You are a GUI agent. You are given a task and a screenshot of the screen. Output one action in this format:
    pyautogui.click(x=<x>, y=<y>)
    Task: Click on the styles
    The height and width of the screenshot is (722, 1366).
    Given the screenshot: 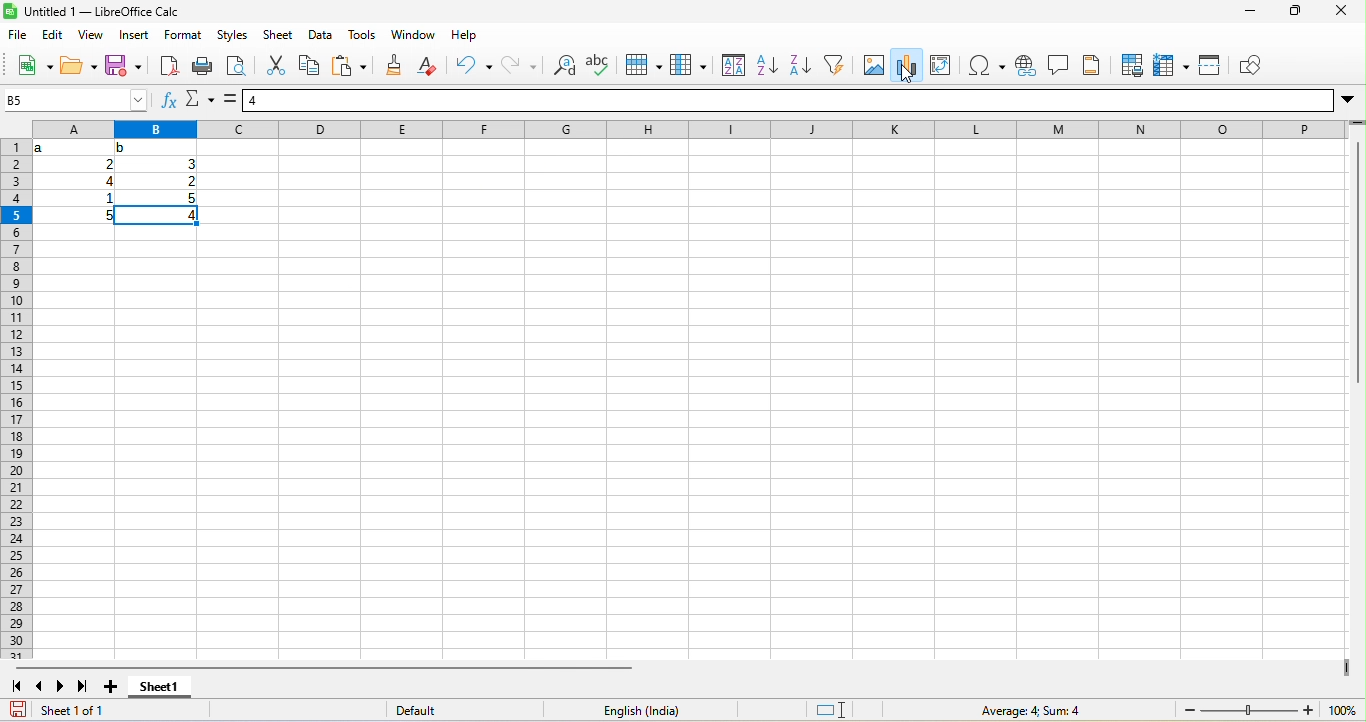 What is the action you would take?
    pyautogui.click(x=233, y=35)
    